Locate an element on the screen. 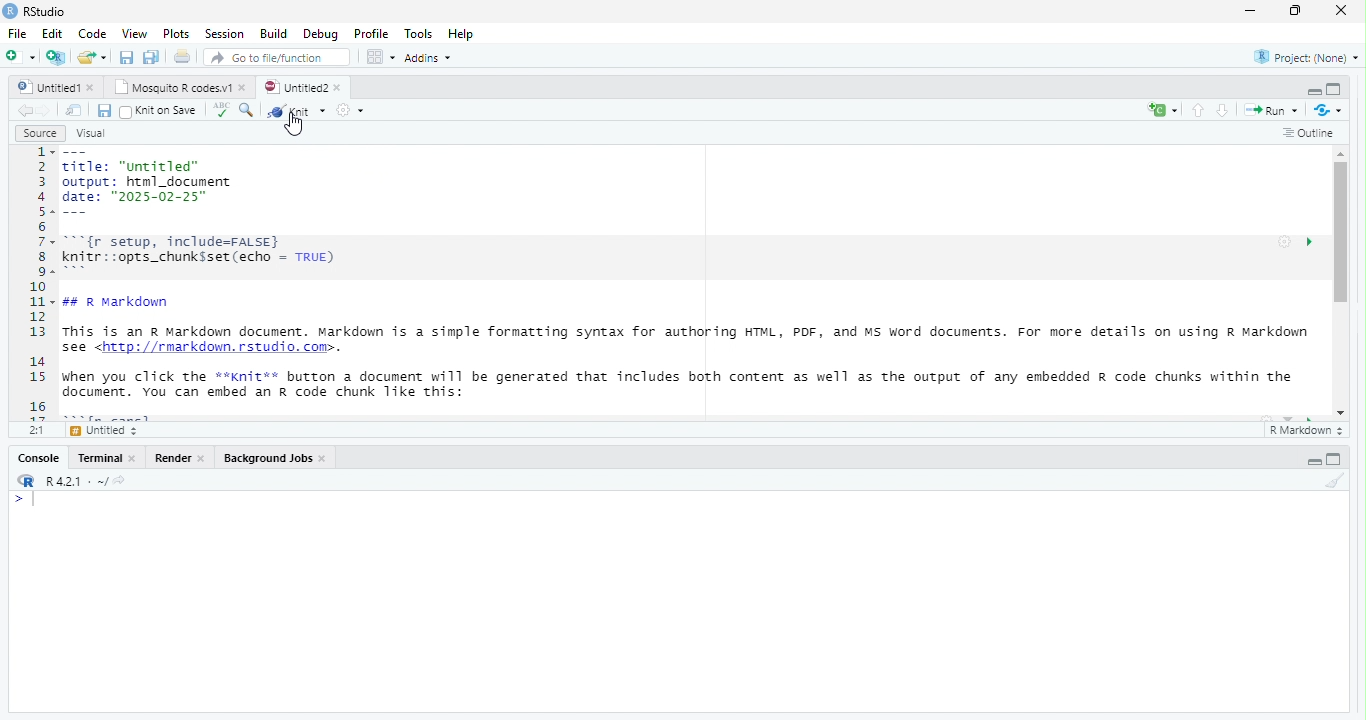 This screenshot has width=1366, height=720. insights is located at coordinates (1310, 242).